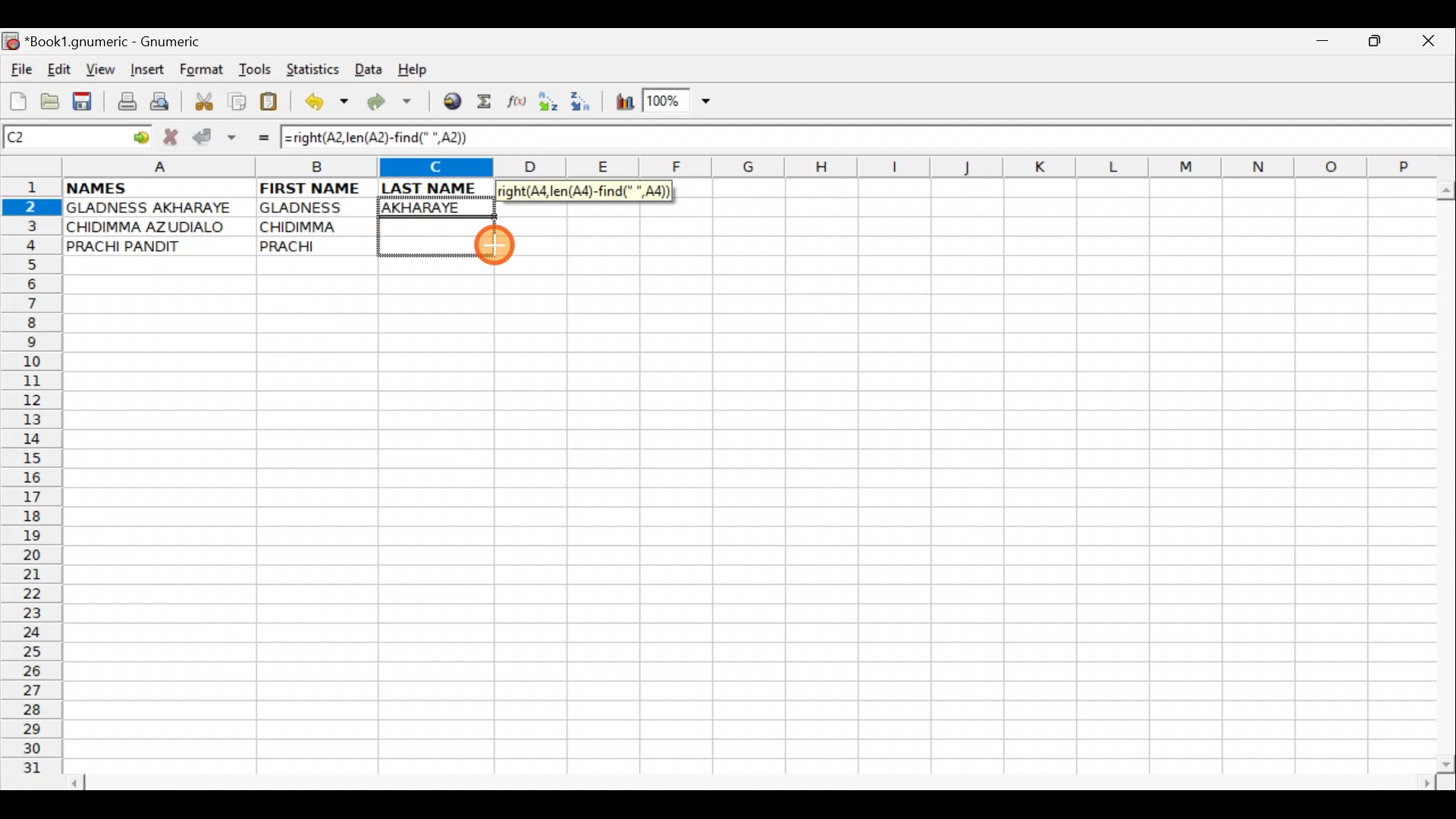  I want to click on Enter formula, so click(256, 137).